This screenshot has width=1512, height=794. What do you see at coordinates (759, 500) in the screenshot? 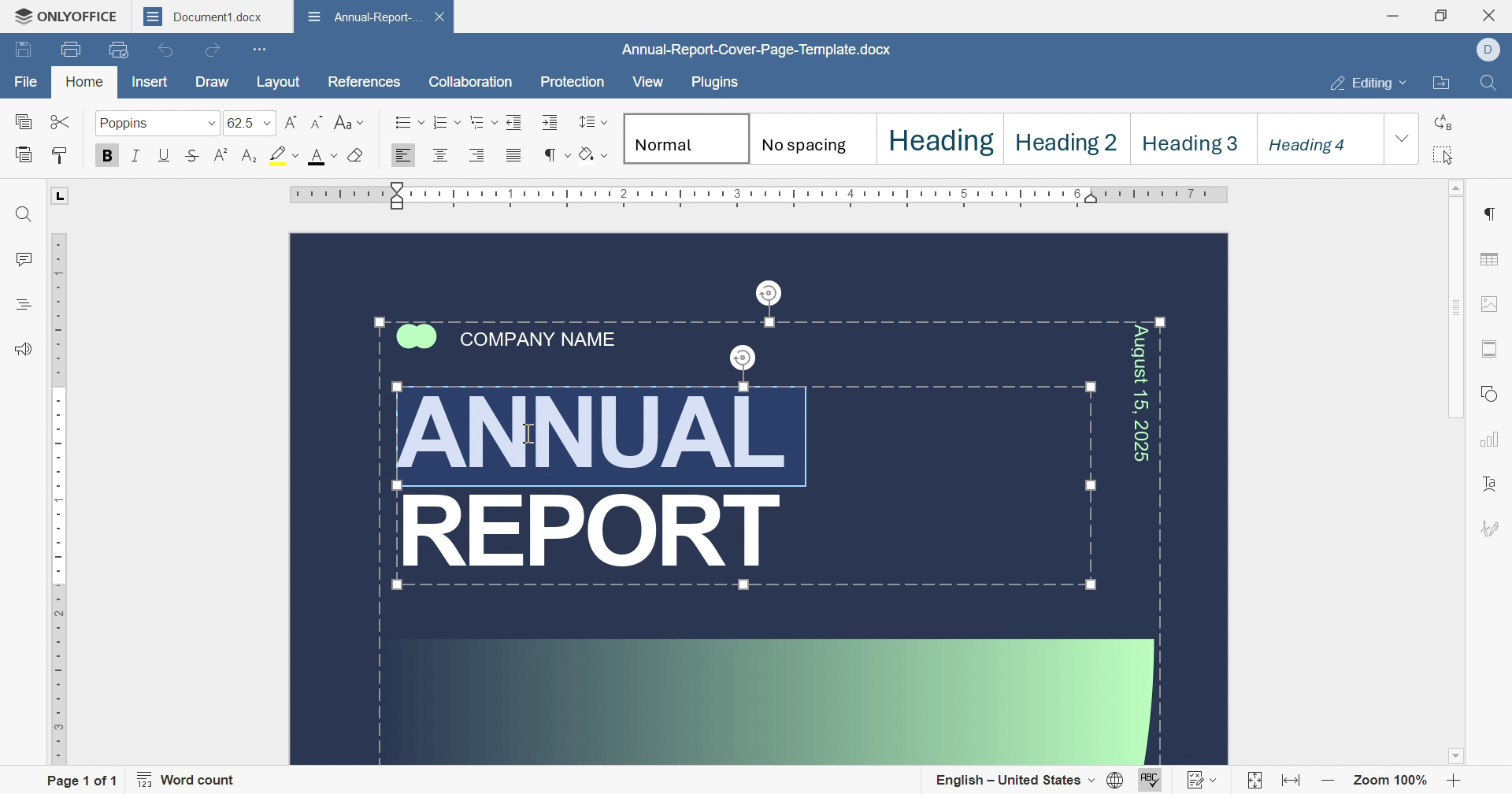
I see `Cover page` at bounding box center [759, 500].